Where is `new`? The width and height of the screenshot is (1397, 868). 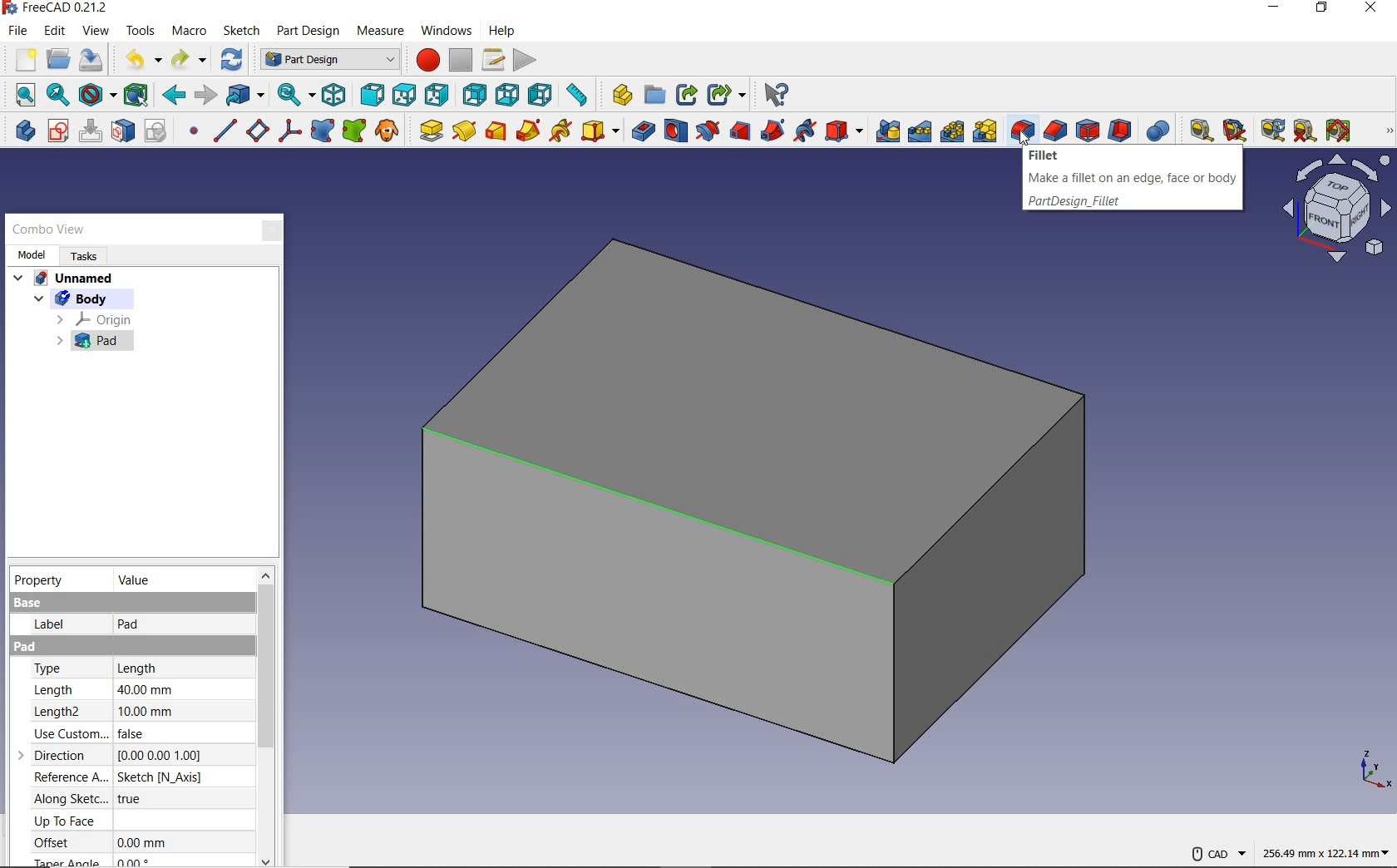 new is located at coordinates (21, 60).